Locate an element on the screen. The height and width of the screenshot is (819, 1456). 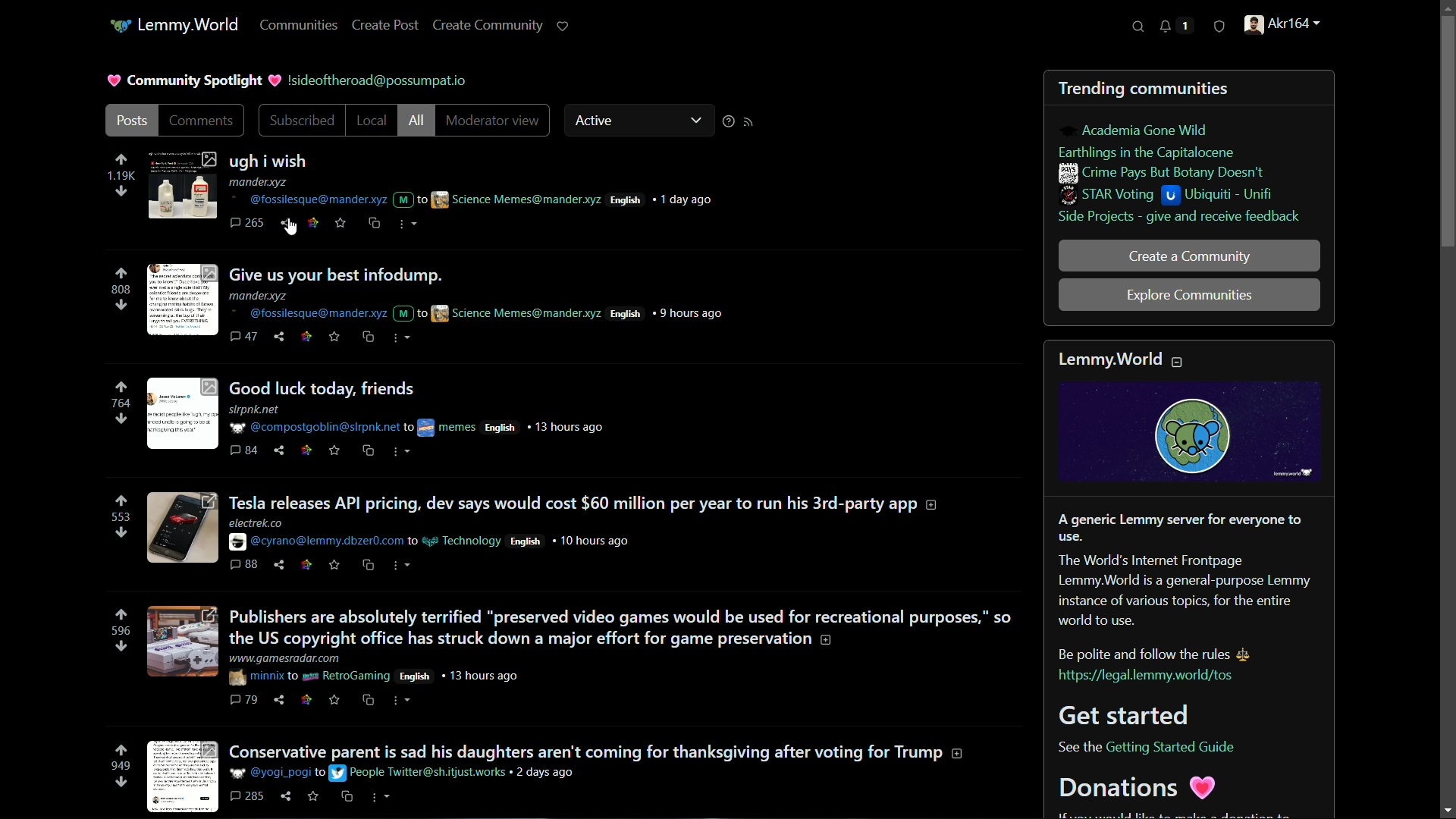
downvote is located at coordinates (121, 192).